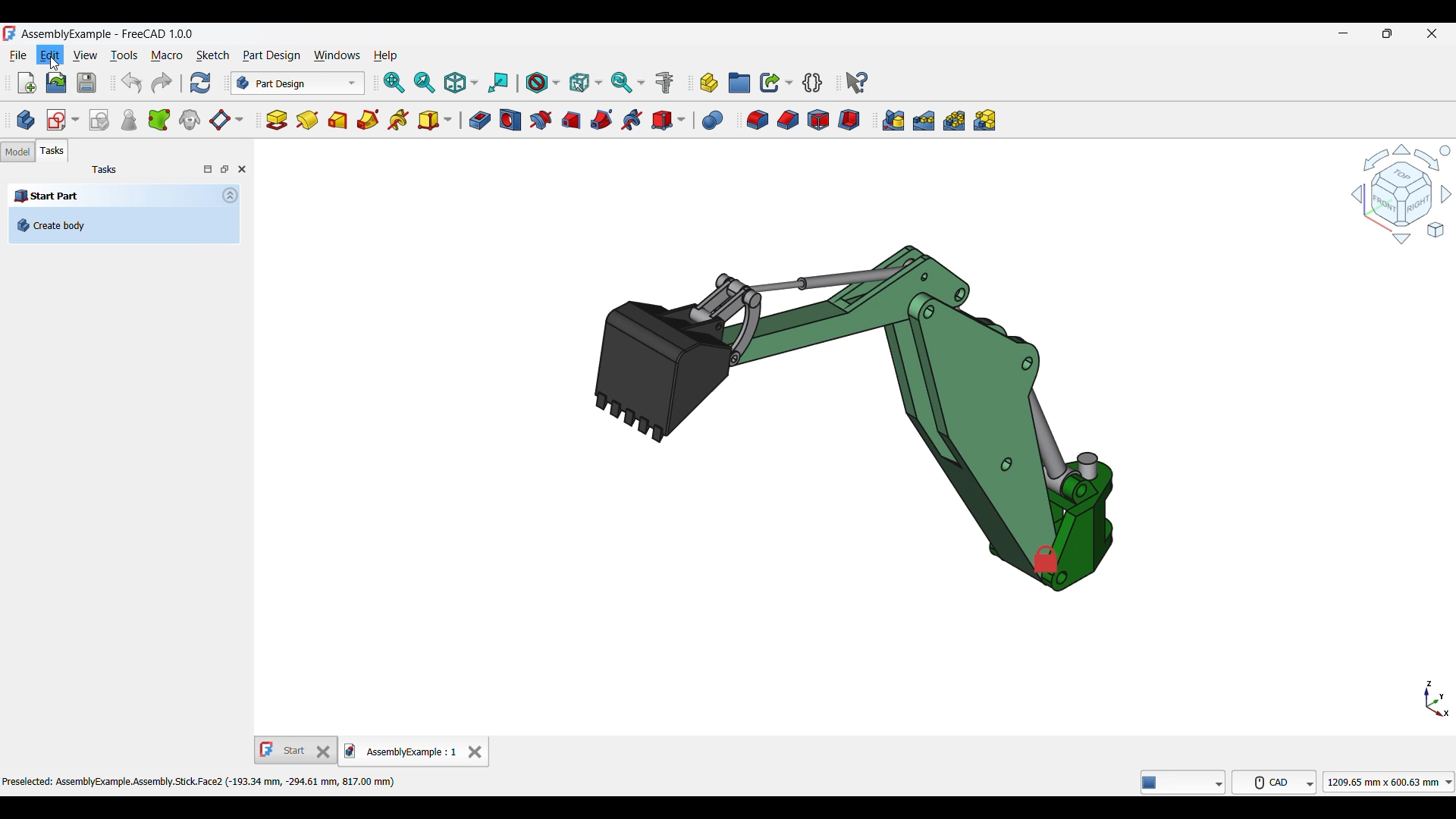 The width and height of the screenshot is (1456, 819). I want to click on Boolean operation, so click(713, 121).